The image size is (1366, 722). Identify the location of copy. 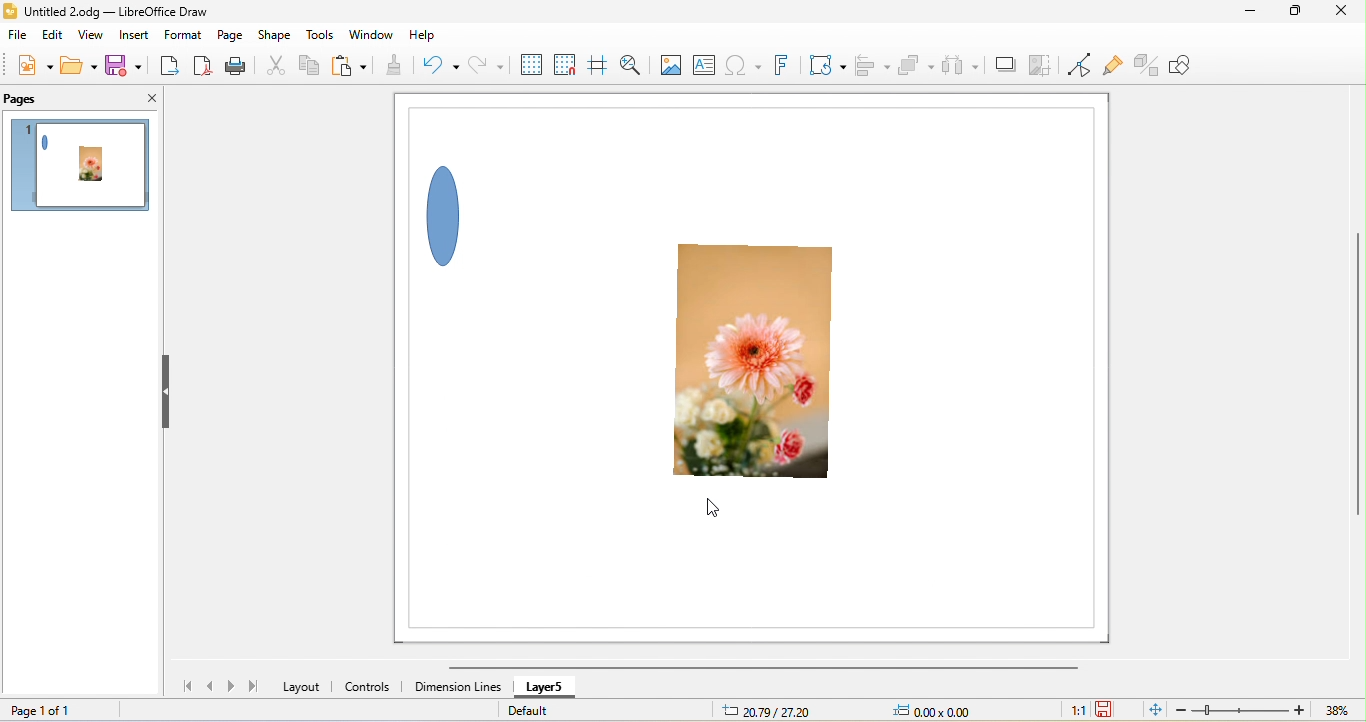
(311, 67).